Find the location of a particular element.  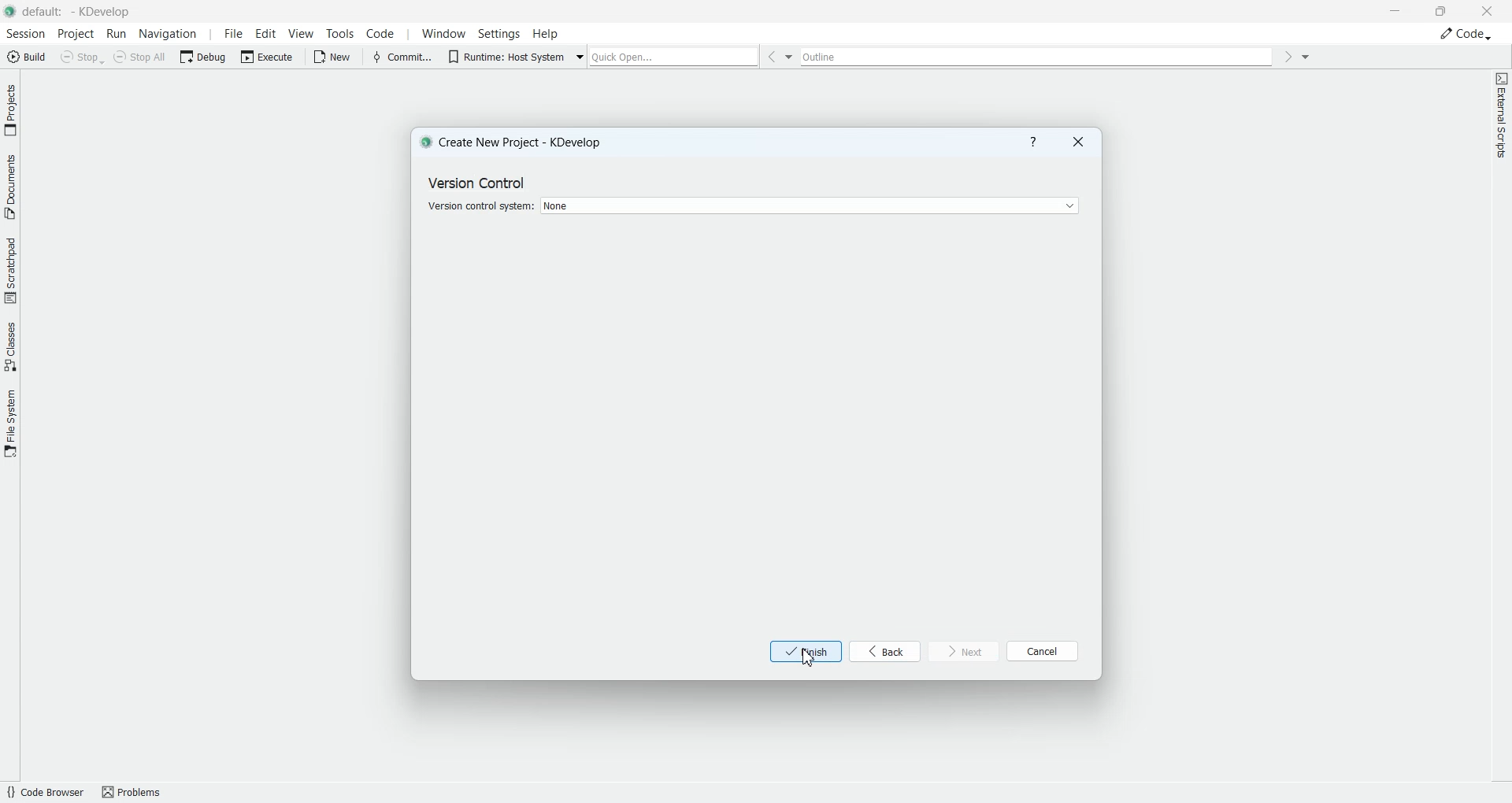

Version control system selection is located at coordinates (736, 208).